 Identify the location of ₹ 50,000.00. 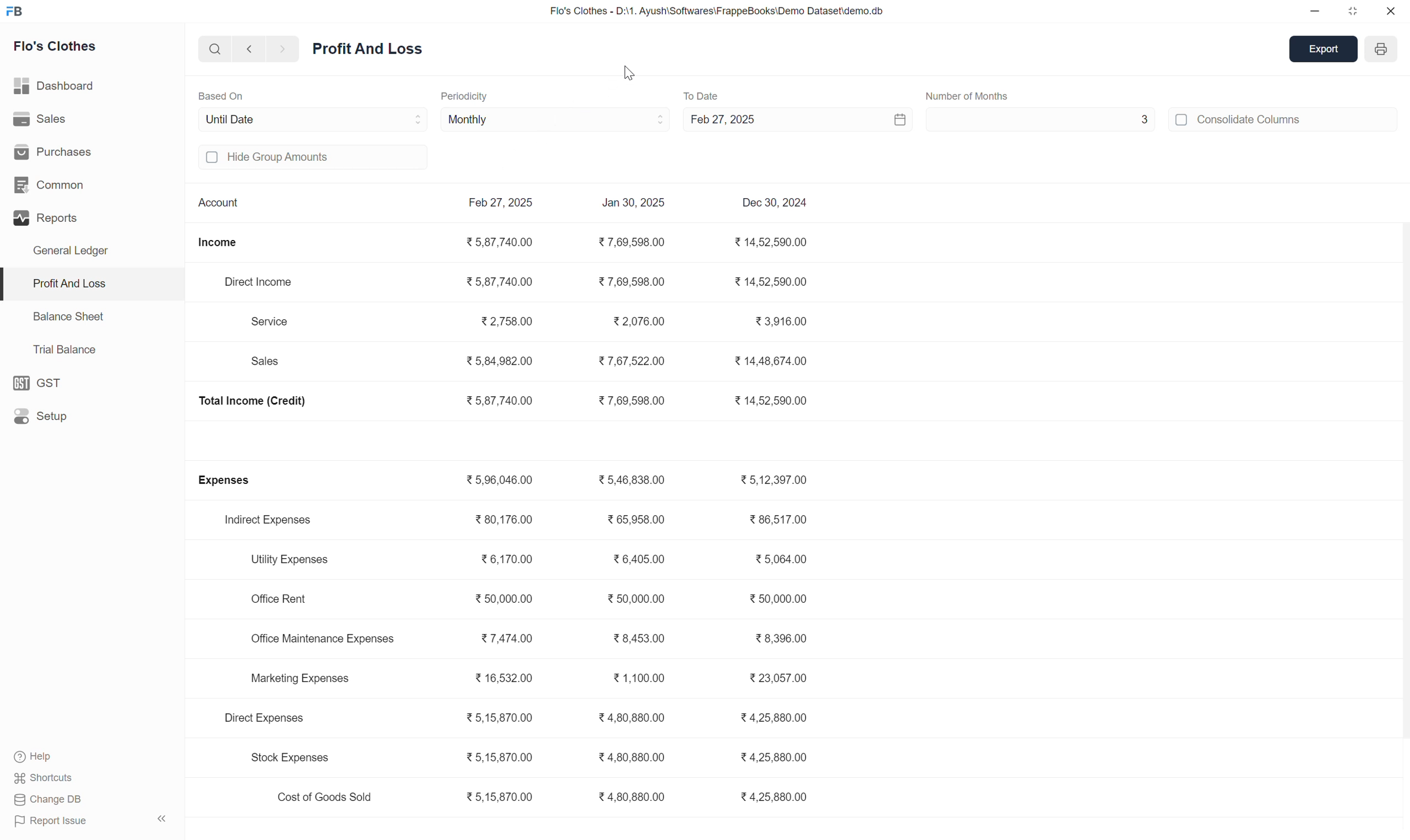
(639, 601).